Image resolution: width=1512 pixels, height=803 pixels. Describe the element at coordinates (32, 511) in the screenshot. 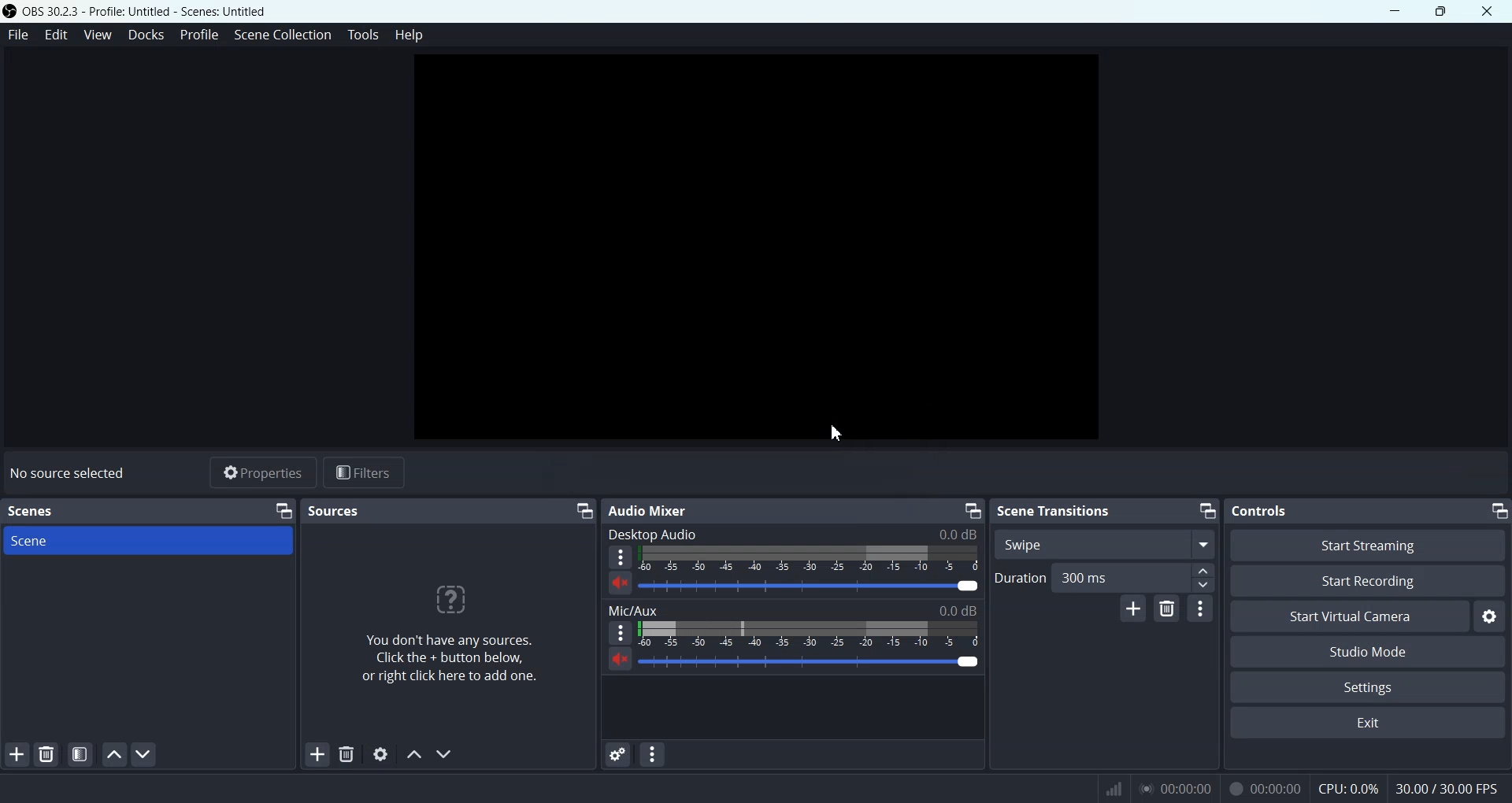

I see `Scenes` at that location.